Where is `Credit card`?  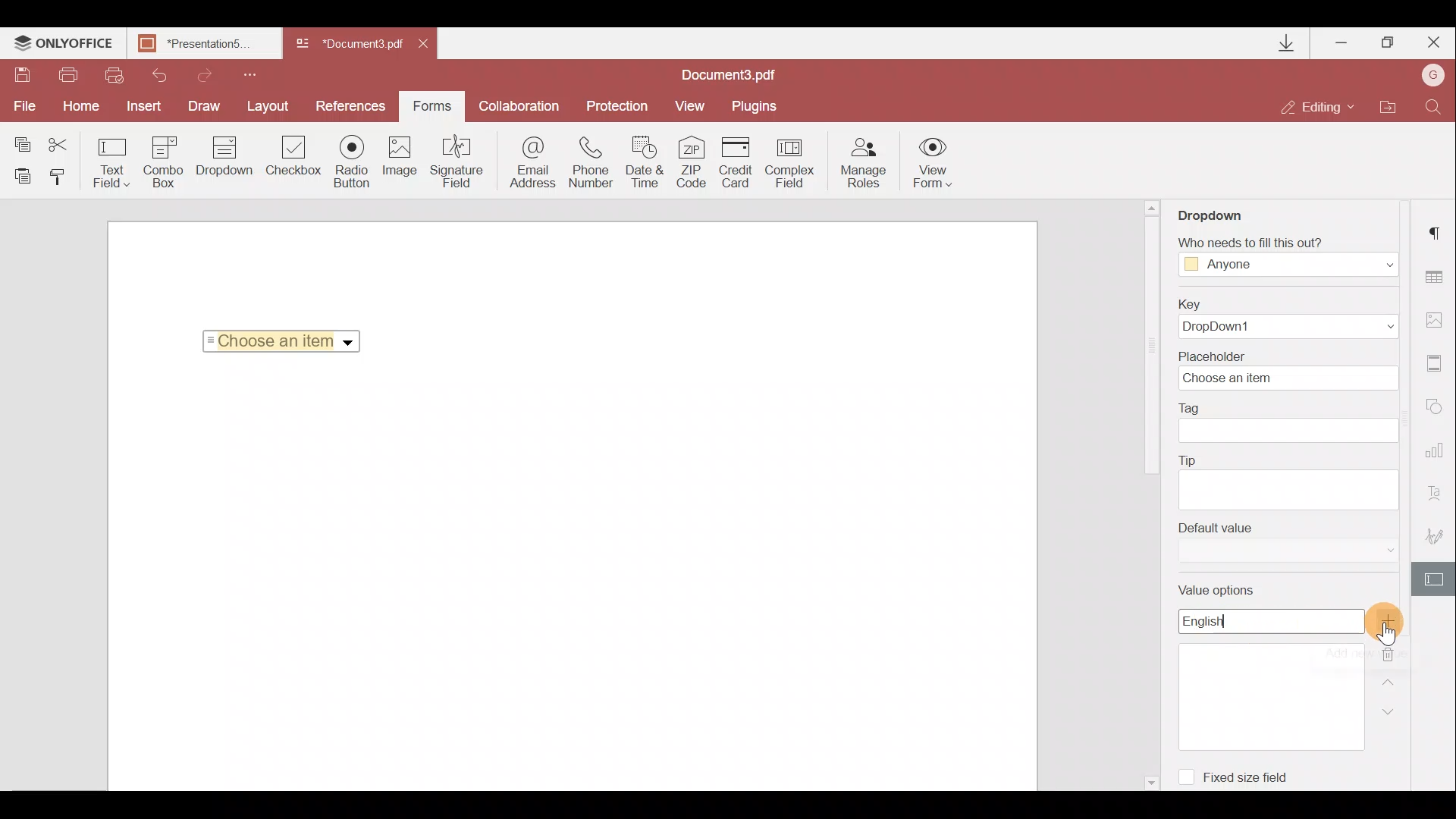
Credit card is located at coordinates (740, 160).